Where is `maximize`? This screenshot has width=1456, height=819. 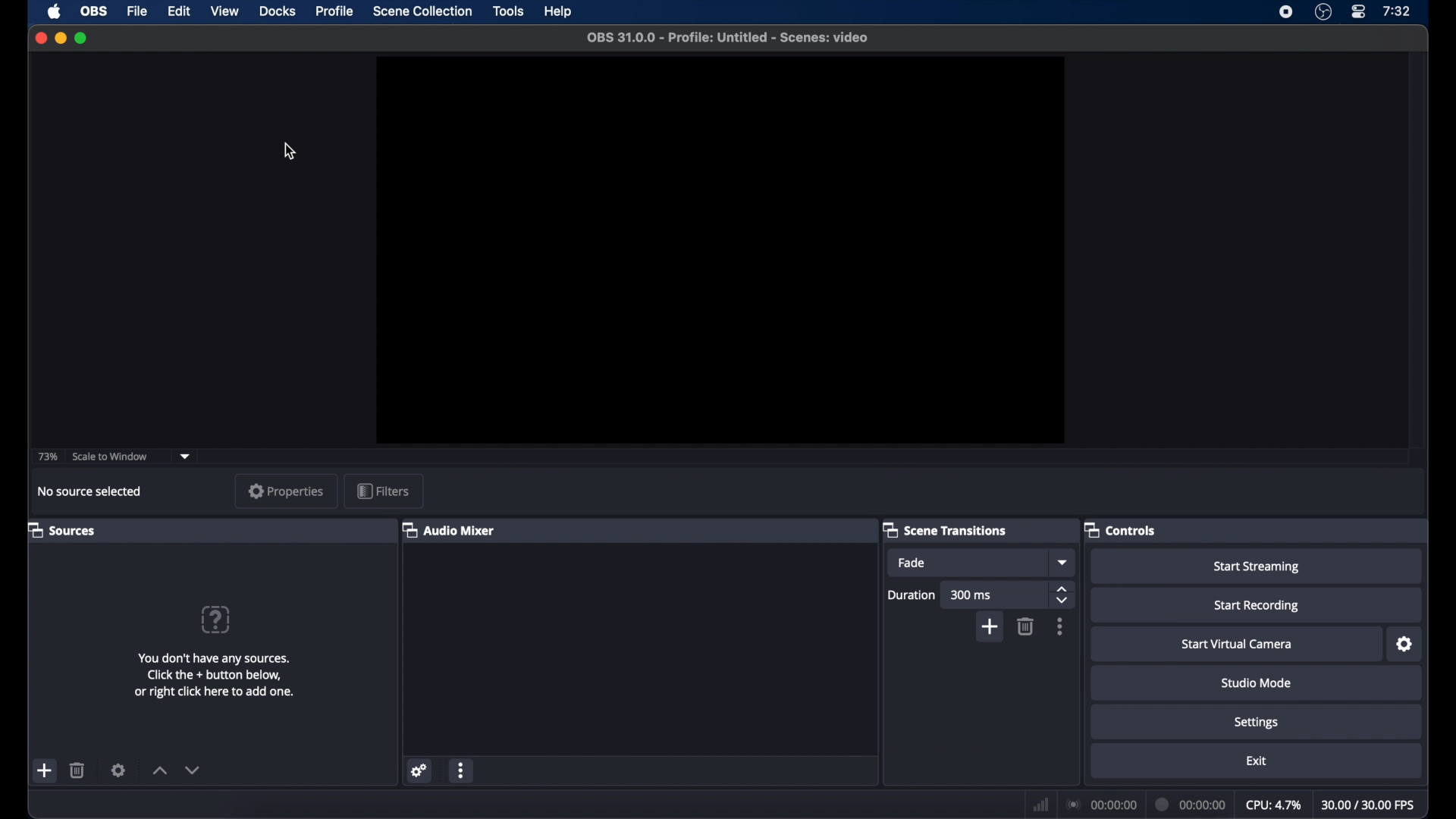
maximize is located at coordinates (82, 38).